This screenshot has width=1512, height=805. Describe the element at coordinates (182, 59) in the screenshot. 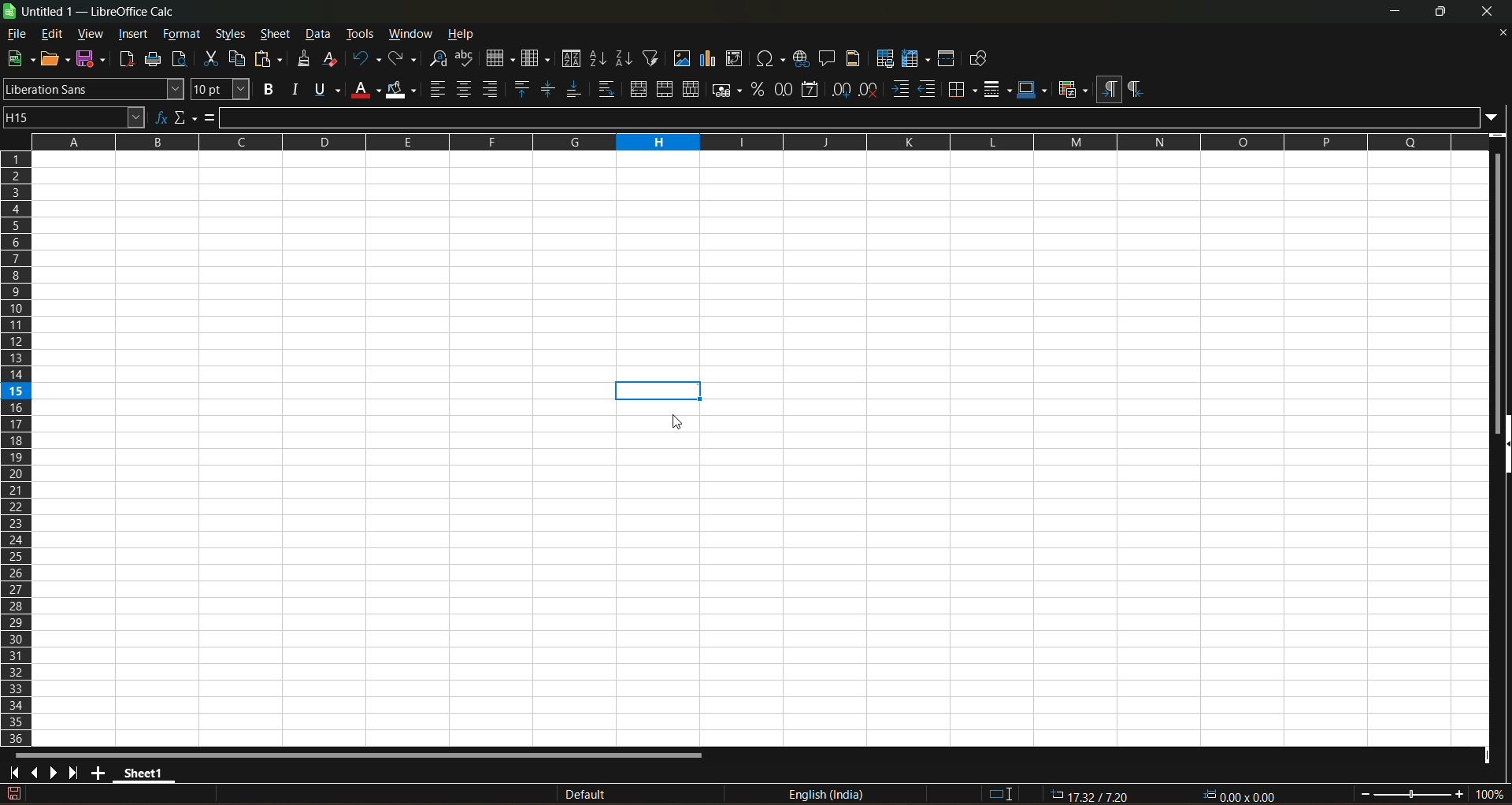

I see `toggle print view` at that location.